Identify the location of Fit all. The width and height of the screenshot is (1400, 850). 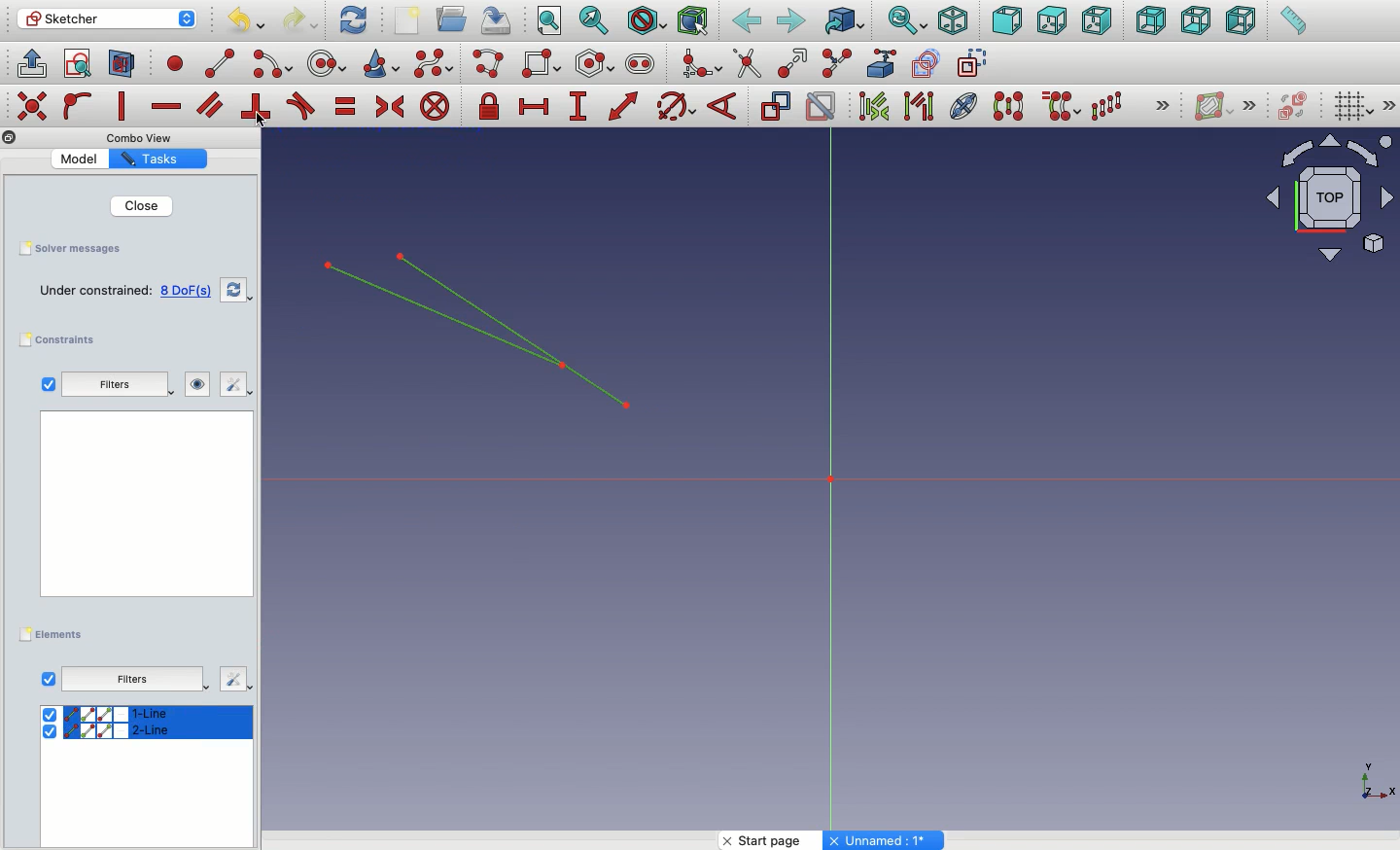
(551, 21).